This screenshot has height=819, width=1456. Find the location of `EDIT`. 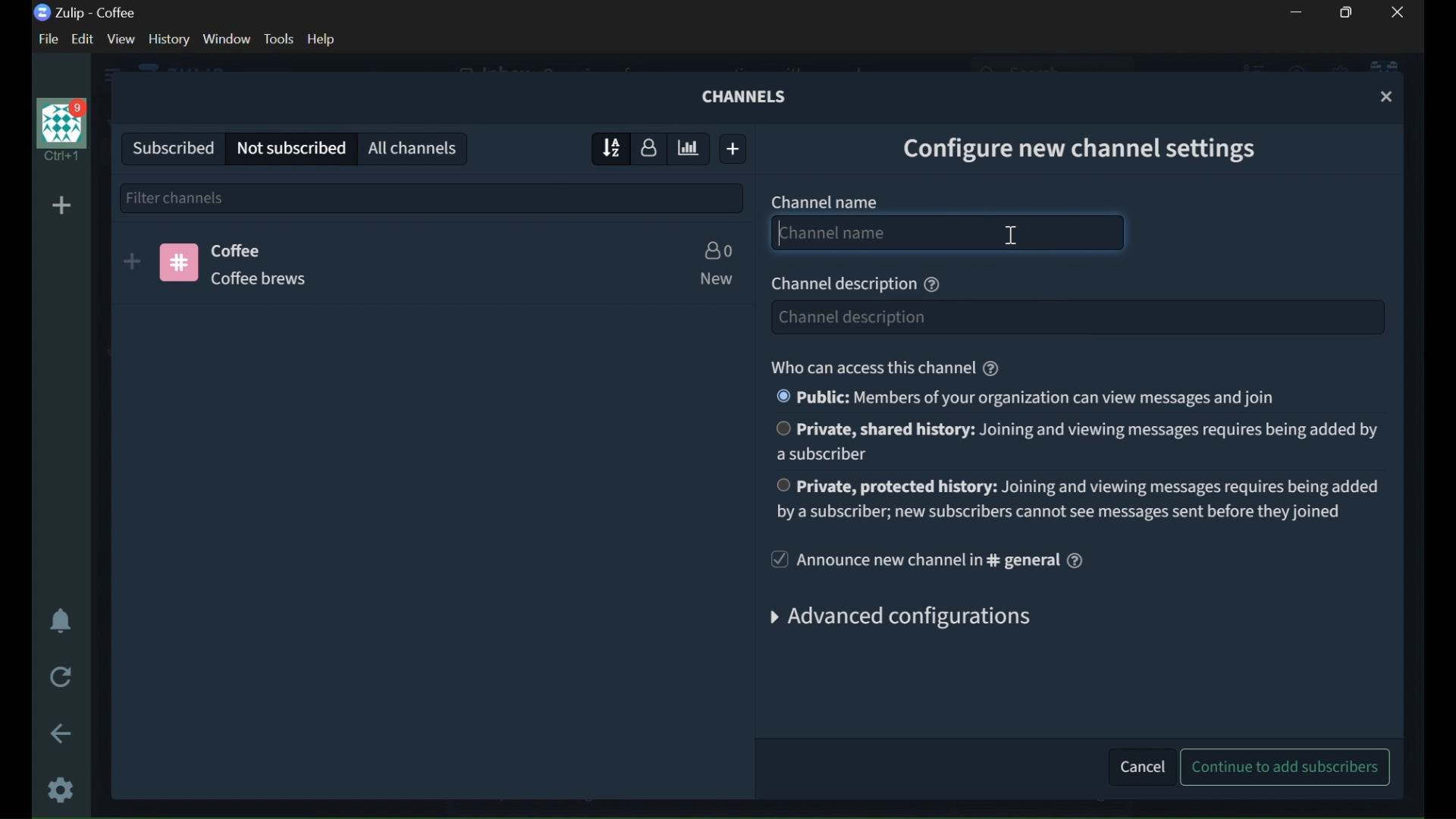

EDIT is located at coordinates (86, 39).